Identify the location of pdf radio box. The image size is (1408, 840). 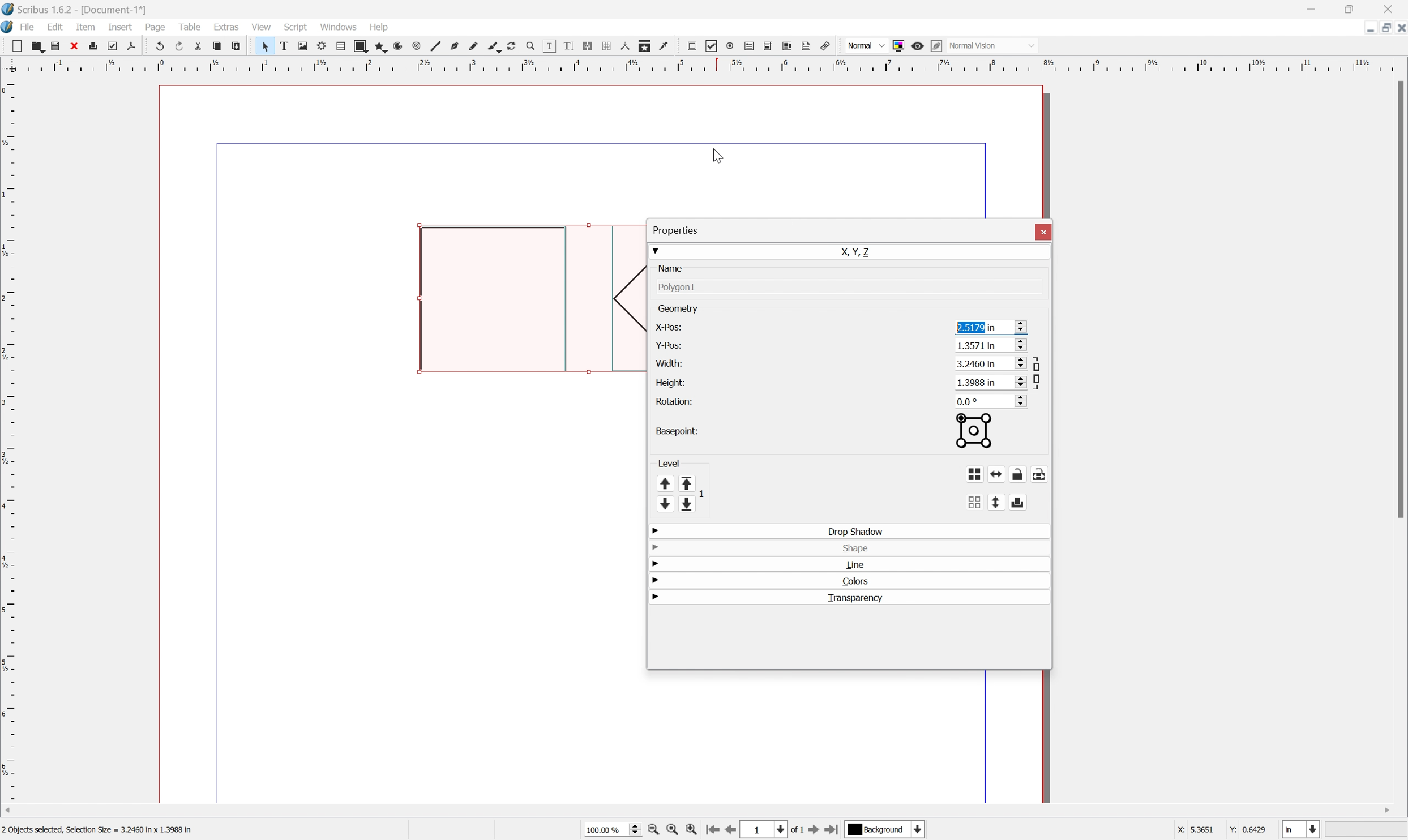
(728, 45).